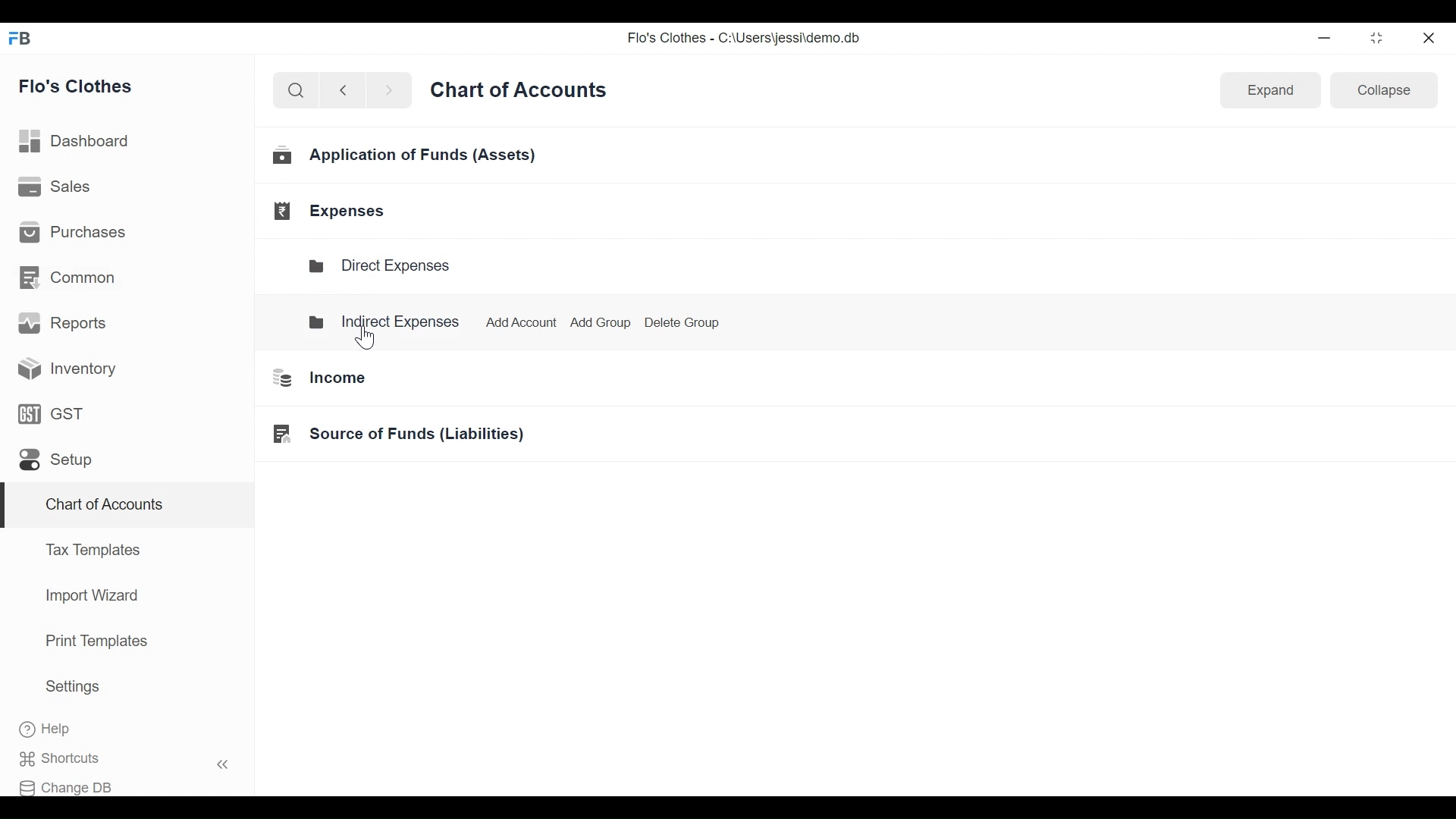 The height and width of the screenshot is (819, 1456). What do you see at coordinates (95, 641) in the screenshot?
I see `Print Templates` at bounding box center [95, 641].